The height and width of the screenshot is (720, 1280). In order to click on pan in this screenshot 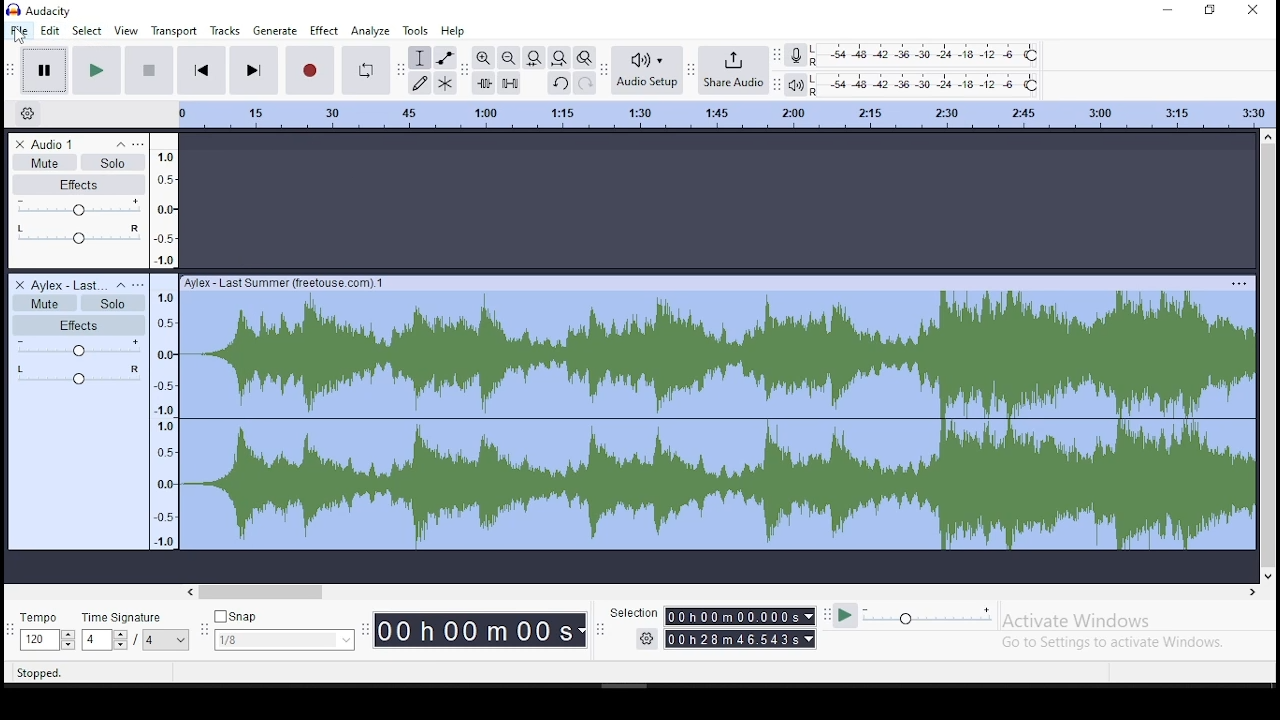, I will do `click(77, 376)`.